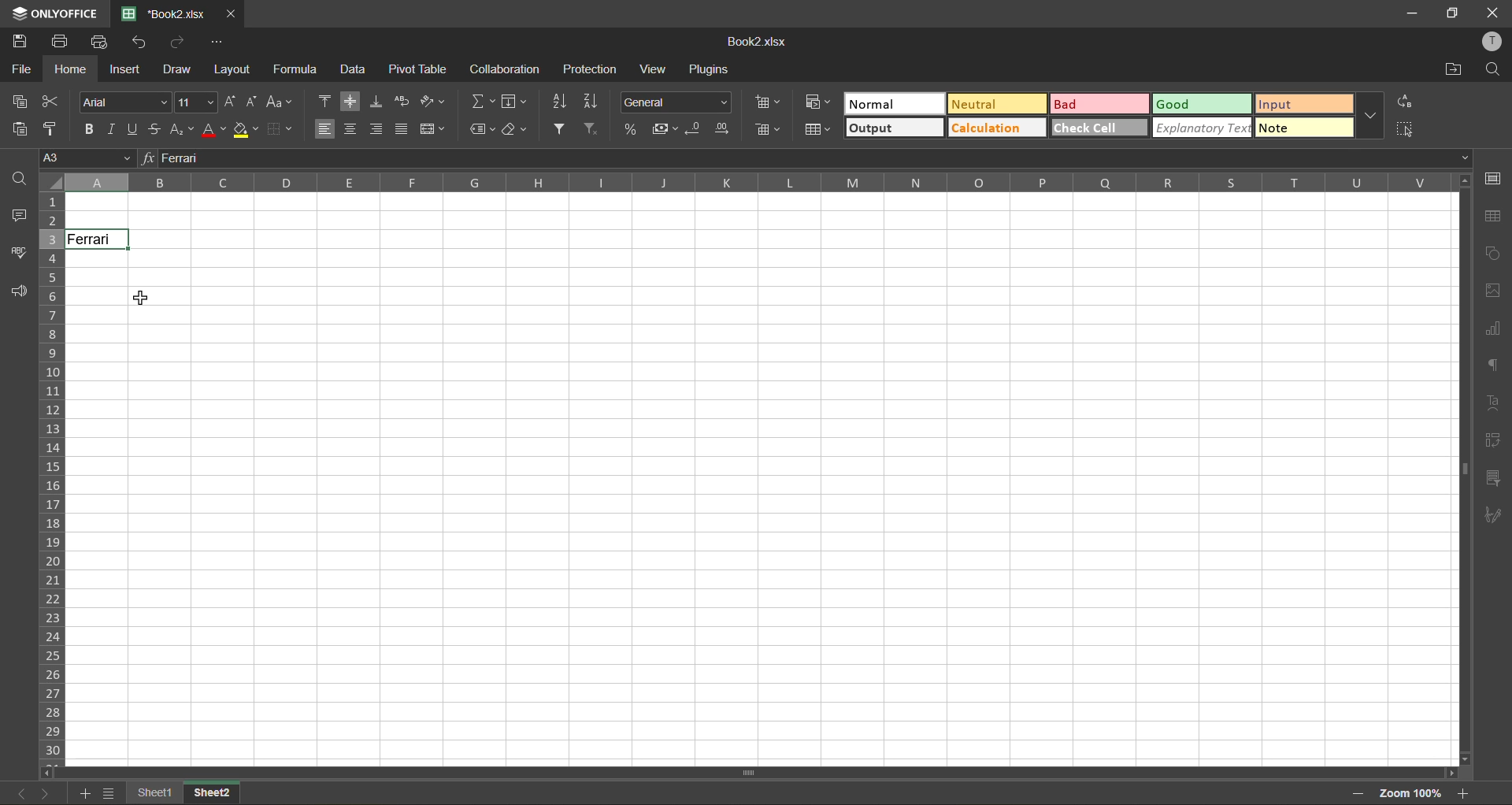  Describe the element at coordinates (109, 793) in the screenshot. I see `sheet list` at that location.